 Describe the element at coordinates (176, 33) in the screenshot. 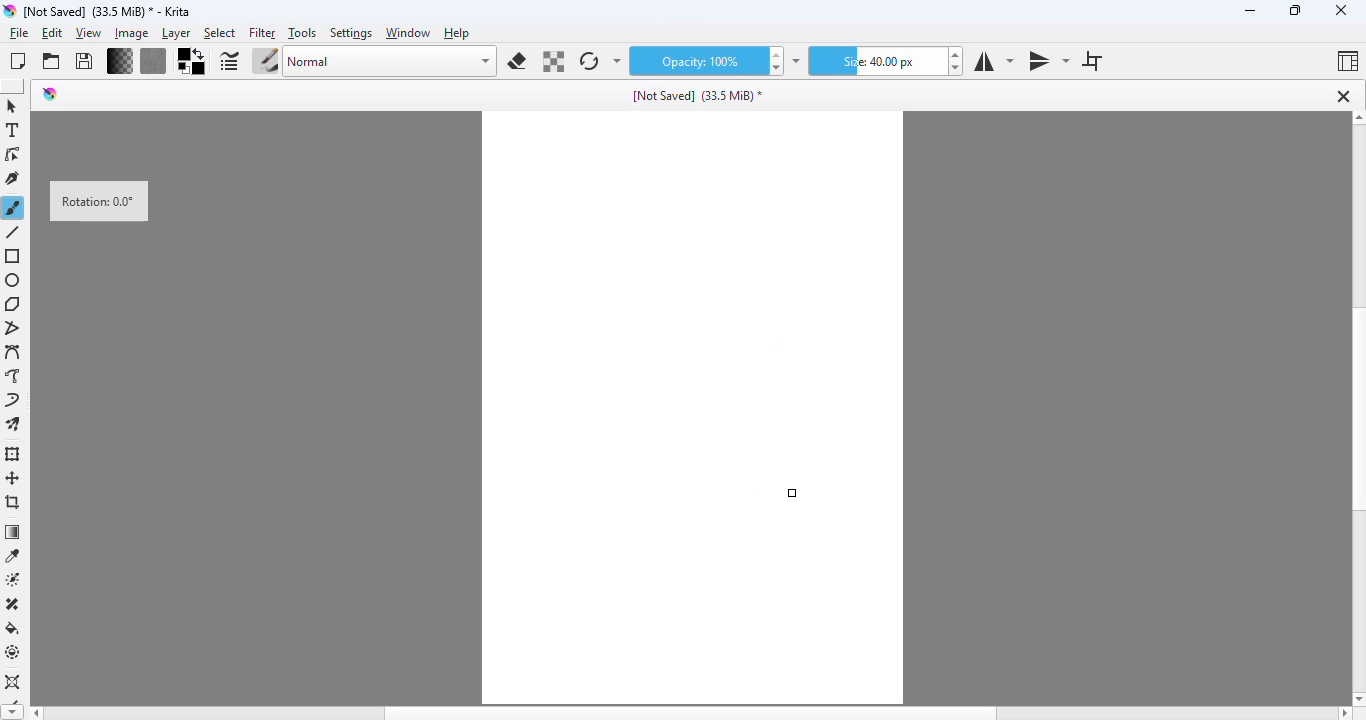

I see `layer` at that location.